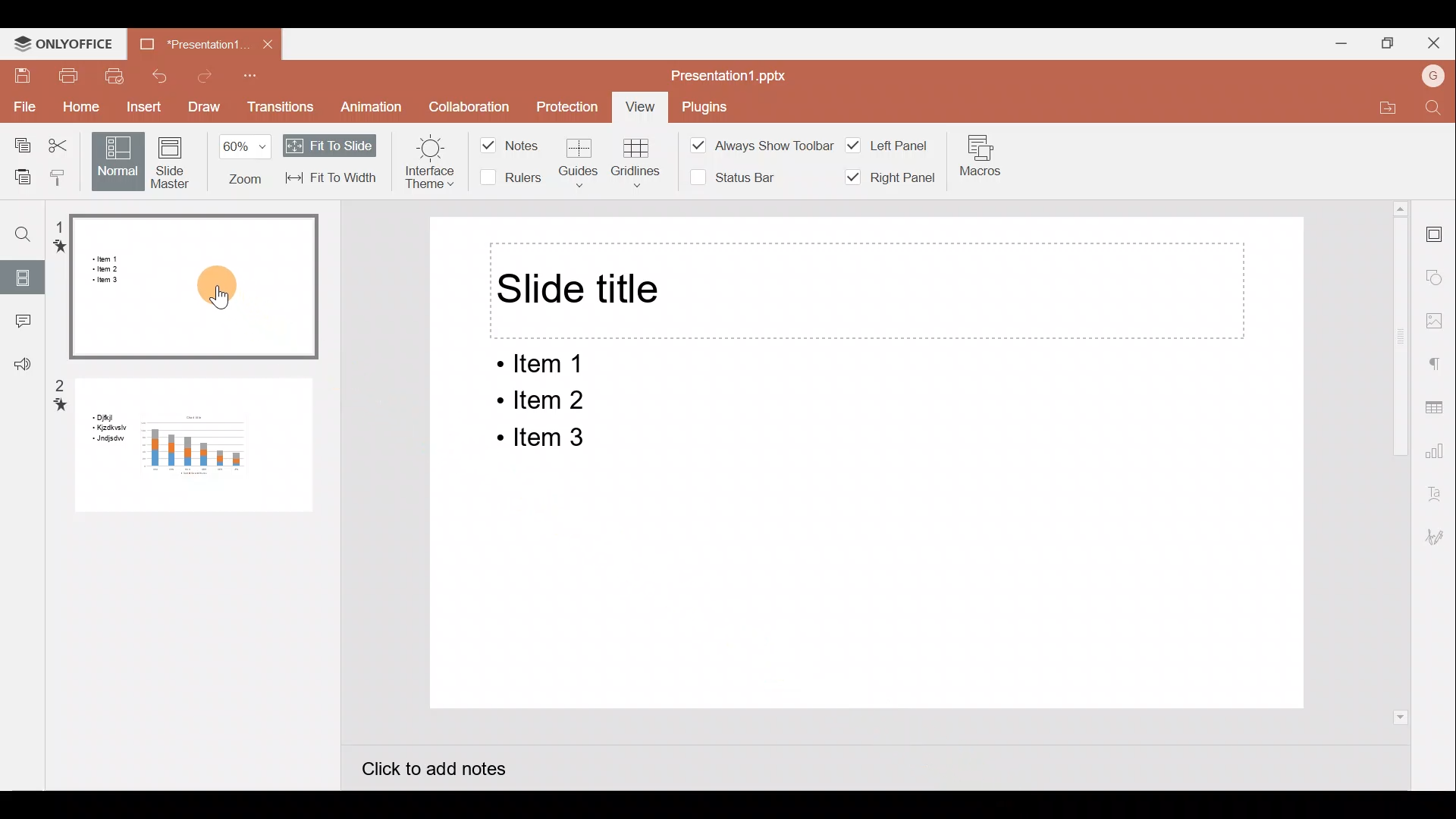  I want to click on Find, so click(1433, 108).